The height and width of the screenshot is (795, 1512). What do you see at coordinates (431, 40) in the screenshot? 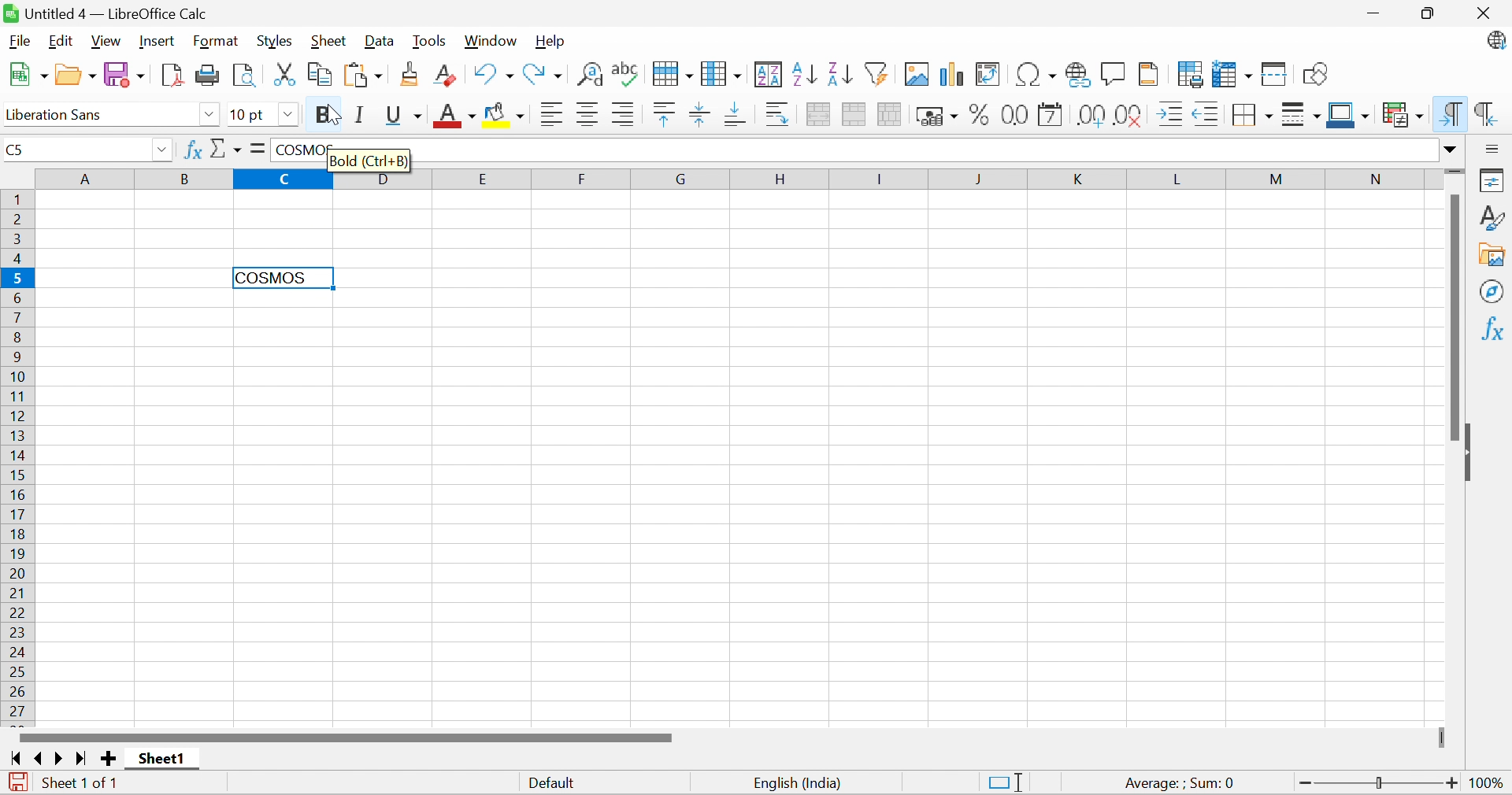
I see `Tools` at bounding box center [431, 40].